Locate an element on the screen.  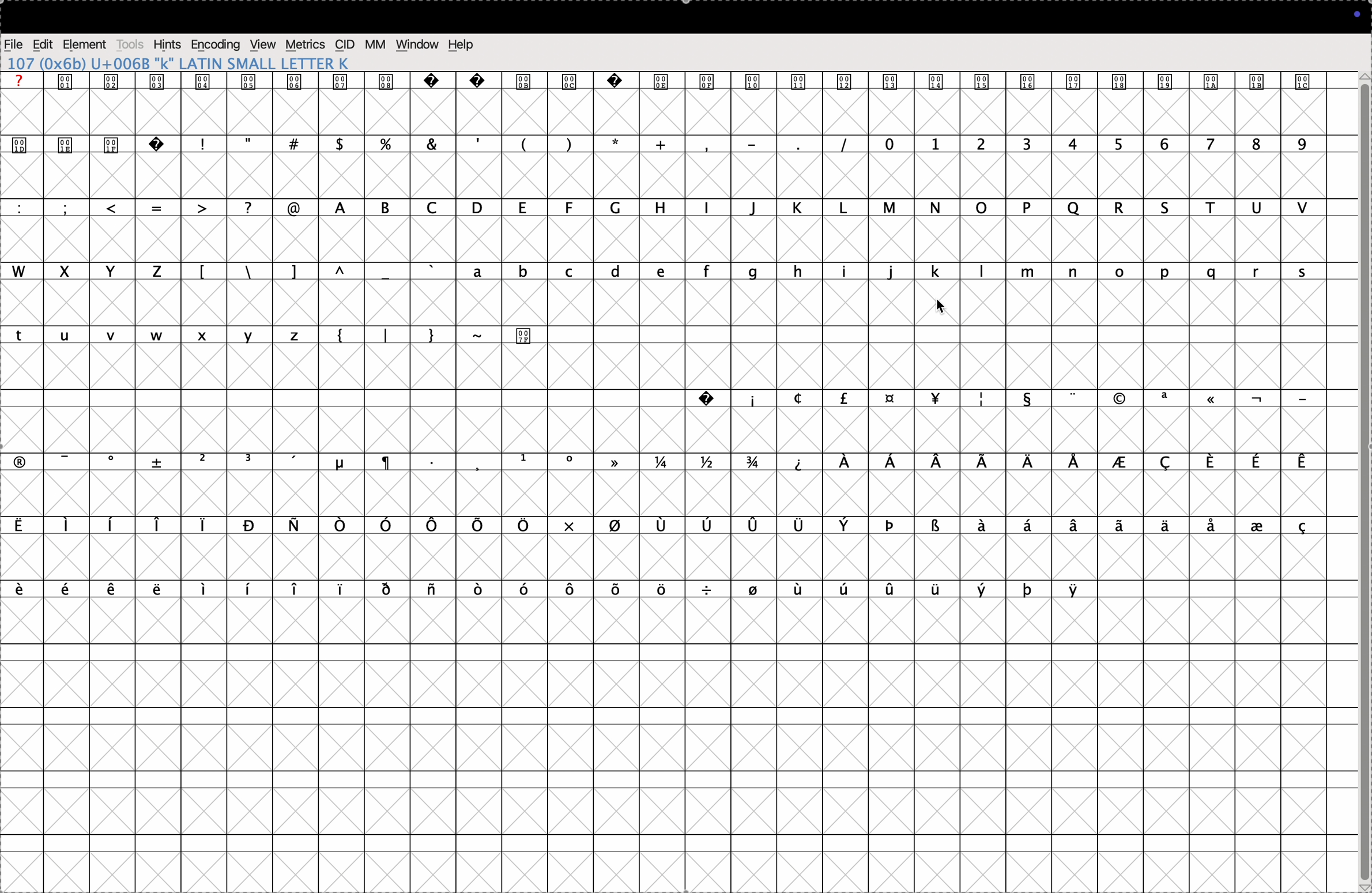
/ is located at coordinates (848, 142).